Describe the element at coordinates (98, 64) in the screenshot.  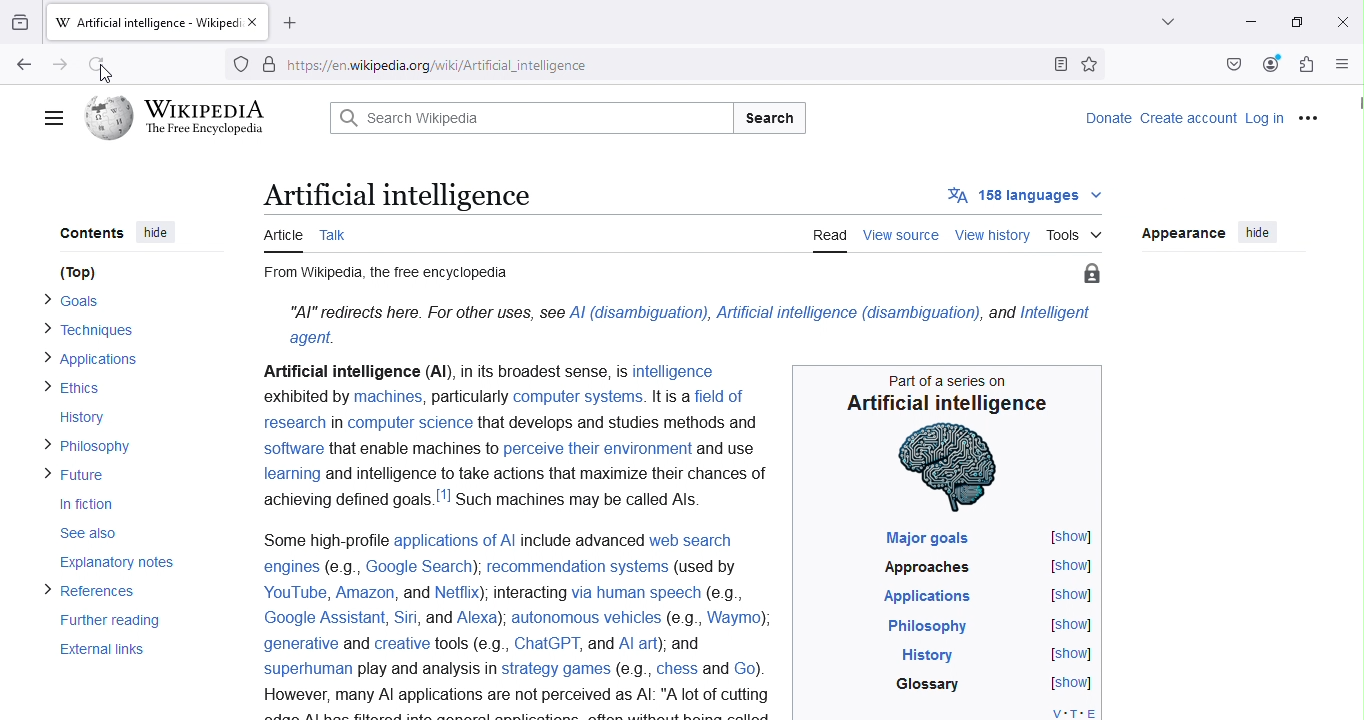
I see `Refresh` at that location.